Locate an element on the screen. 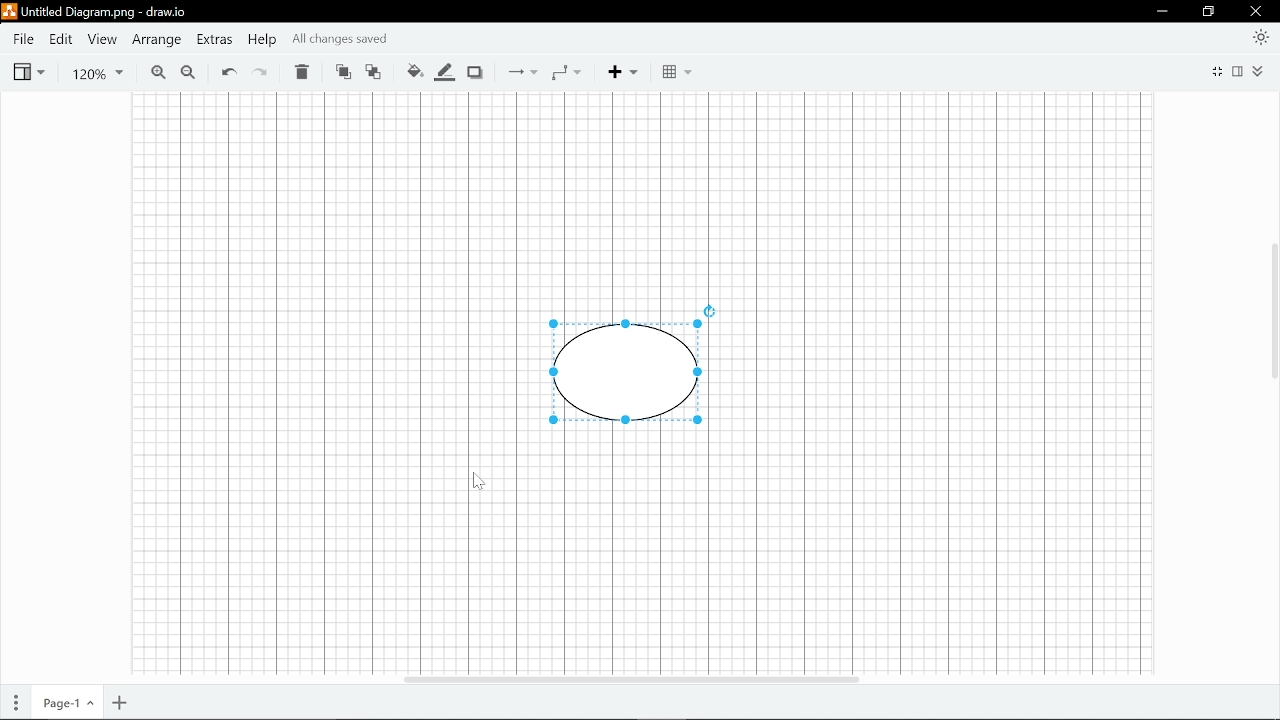 This screenshot has height=720, width=1280. Extras is located at coordinates (214, 39).